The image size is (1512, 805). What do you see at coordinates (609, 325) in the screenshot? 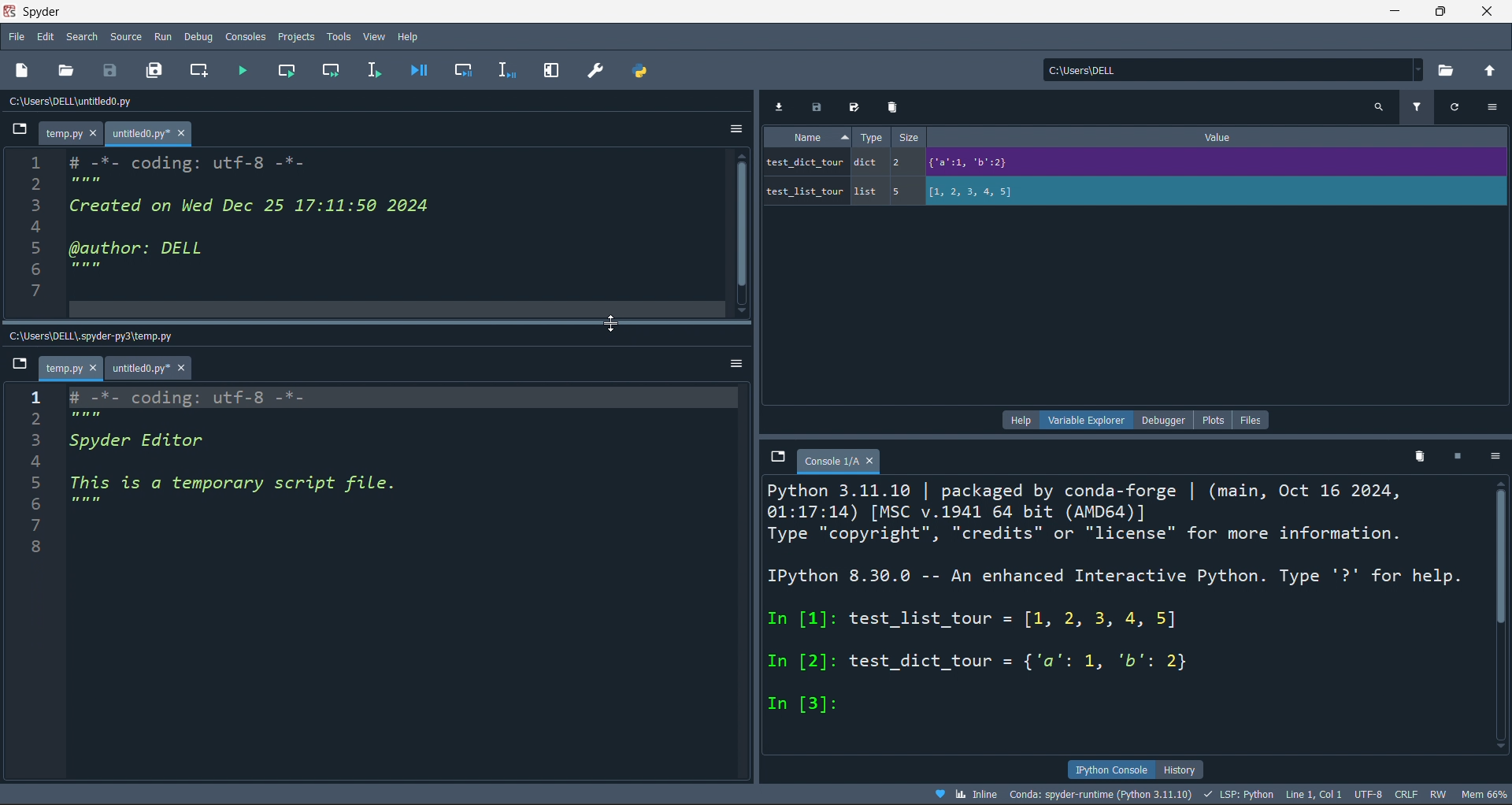
I see `cursor` at bounding box center [609, 325].